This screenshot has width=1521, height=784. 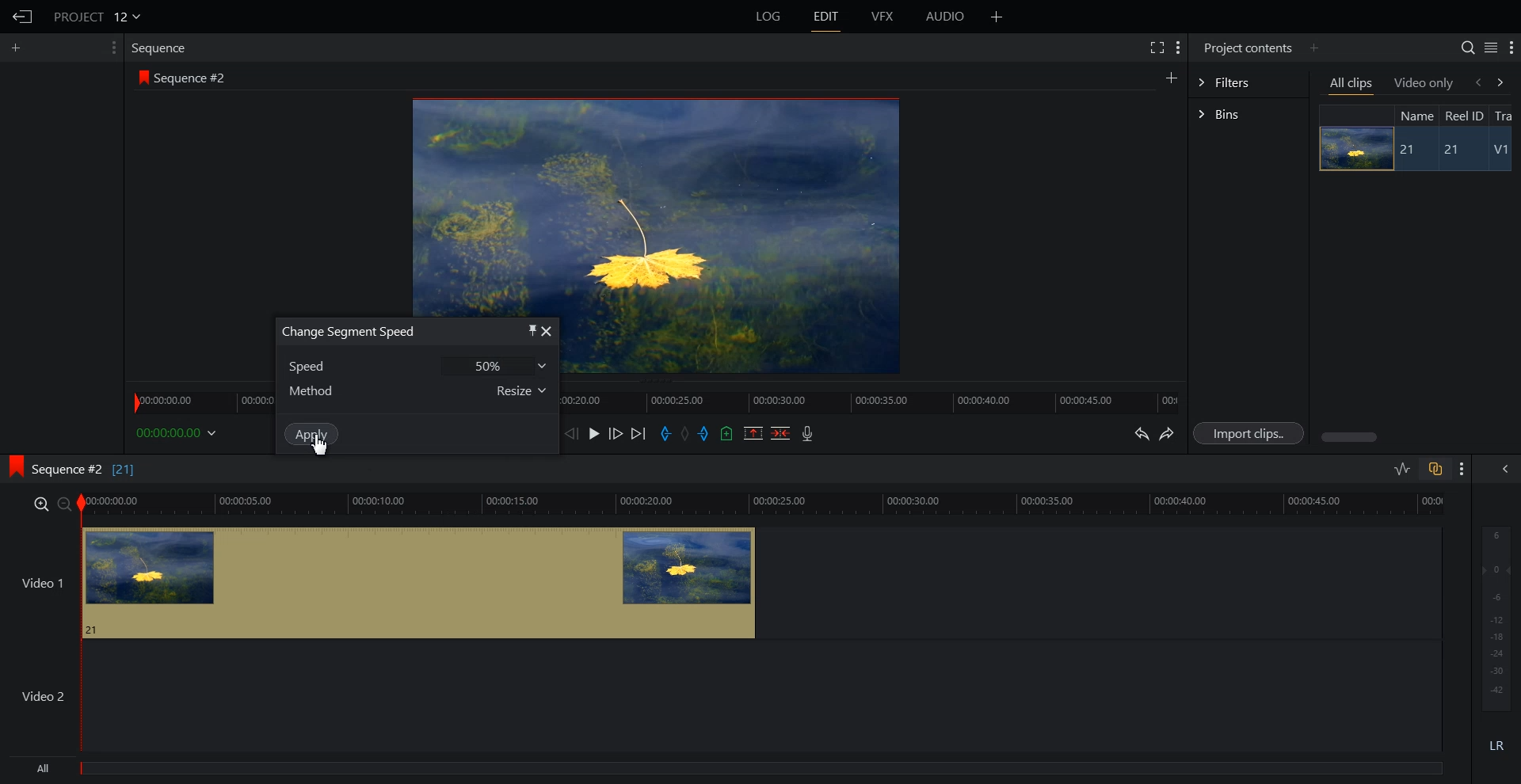 What do you see at coordinates (194, 78) in the screenshot?
I see `Sequence #2` at bounding box center [194, 78].